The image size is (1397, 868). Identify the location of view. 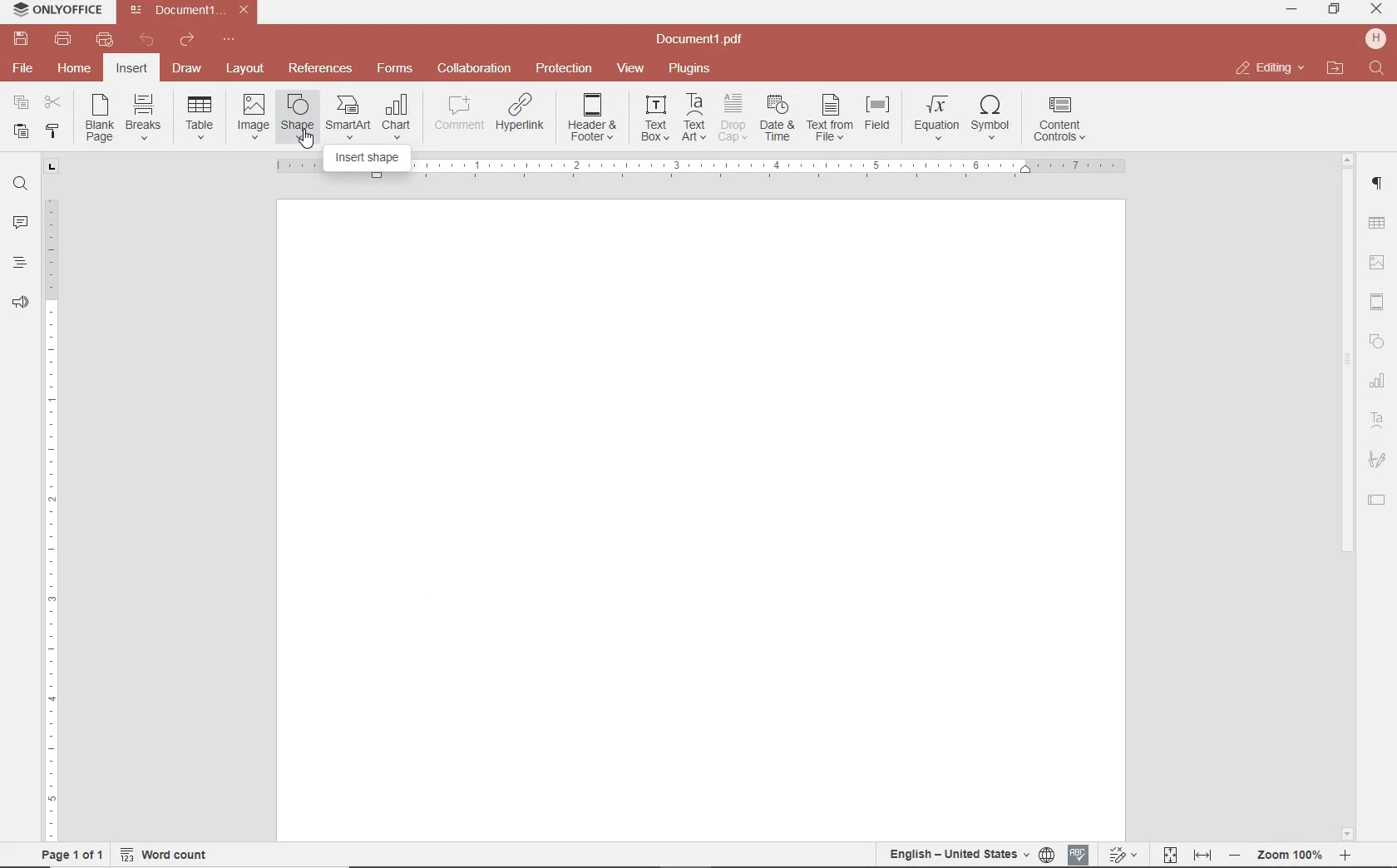
(630, 69).